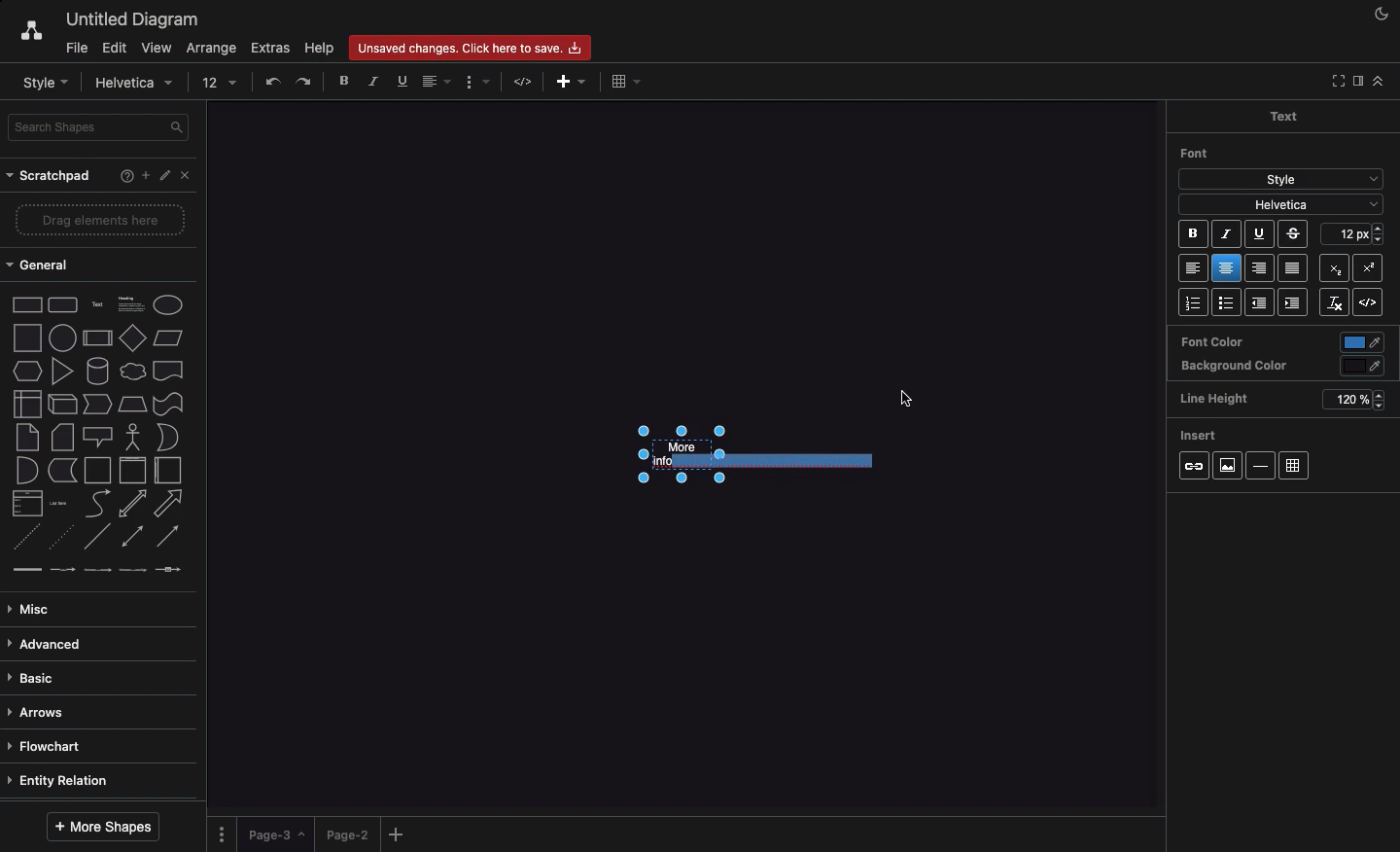 The height and width of the screenshot is (852, 1400). What do you see at coordinates (401, 81) in the screenshot?
I see `Underline` at bounding box center [401, 81].